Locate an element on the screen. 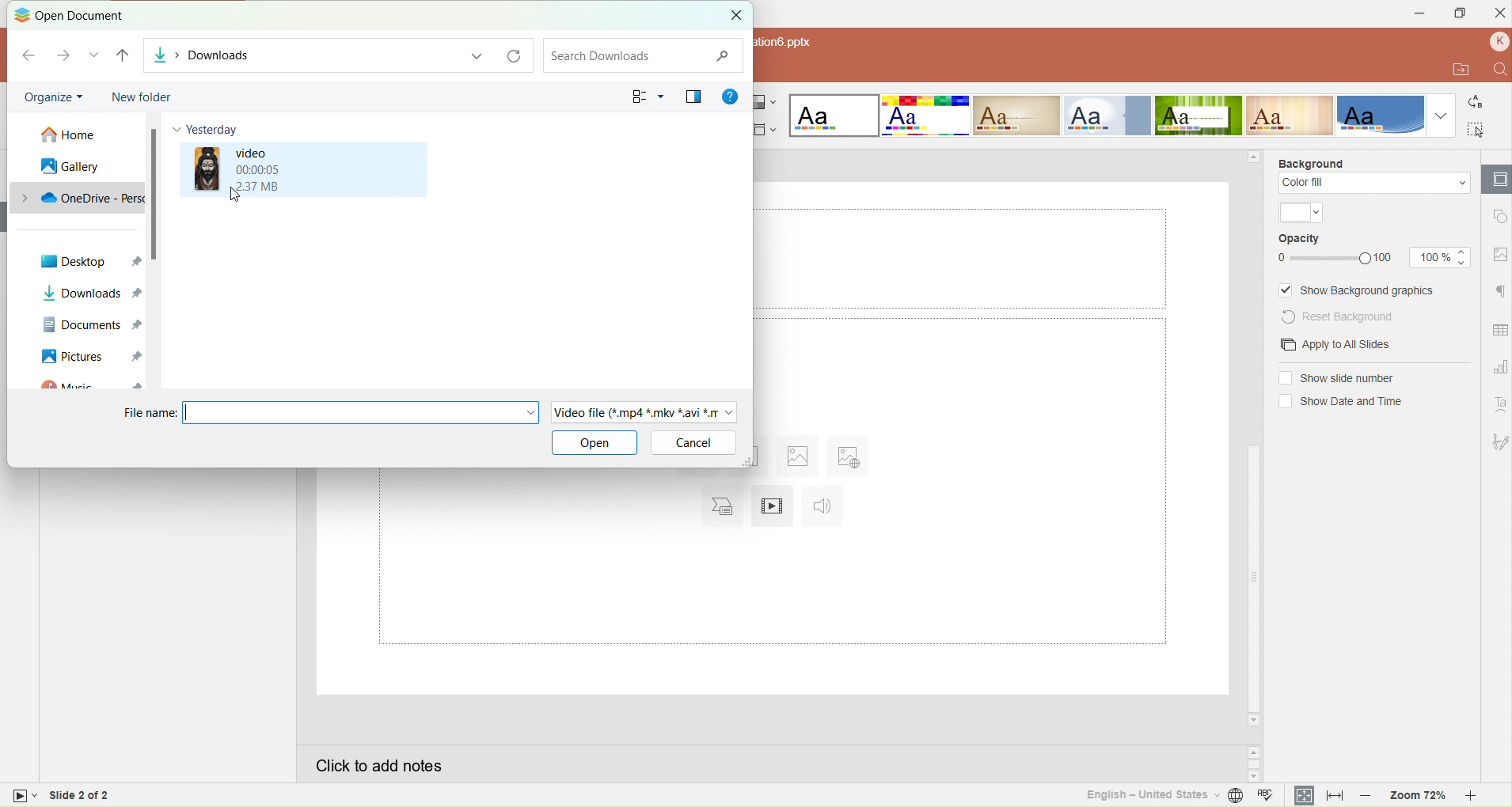 This screenshot has height=807, width=1512. Downloads is located at coordinates (294, 55).